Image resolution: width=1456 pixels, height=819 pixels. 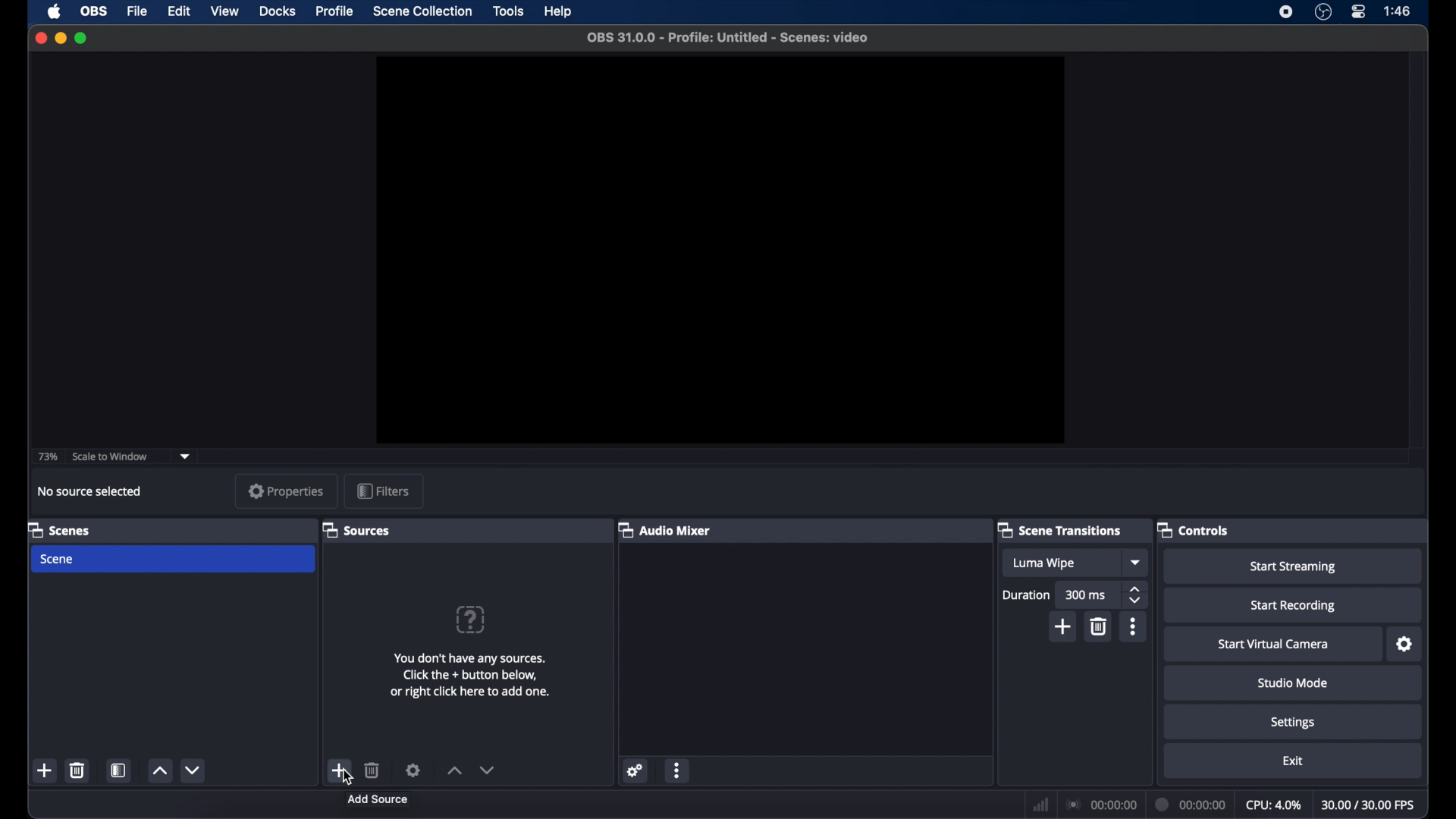 What do you see at coordinates (58, 560) in the screenshot?
I see `scene` at bounding box center [58, 560].